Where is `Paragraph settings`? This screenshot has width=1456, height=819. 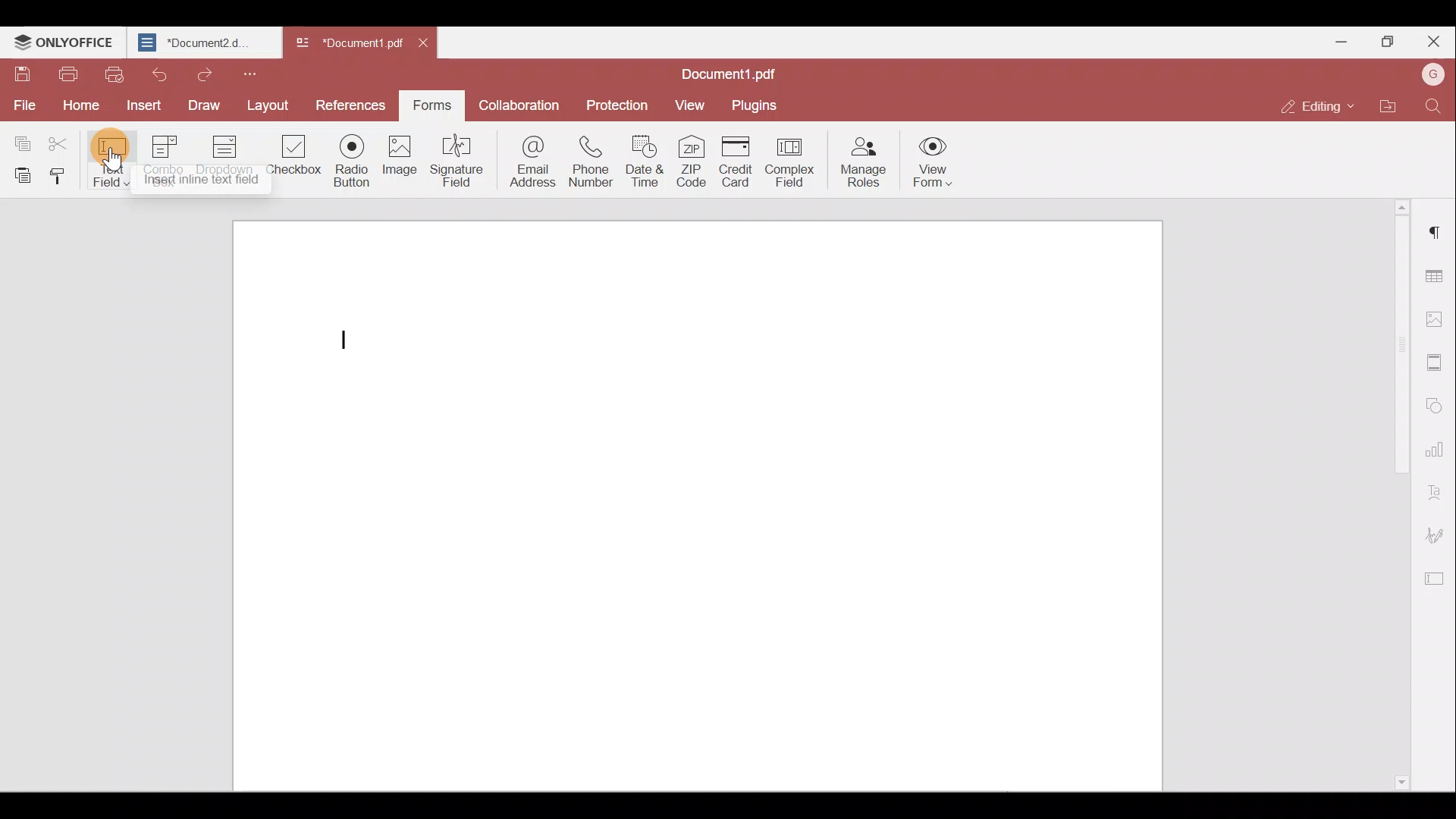 Paragraph settings is located at coordinates (1437, 231).